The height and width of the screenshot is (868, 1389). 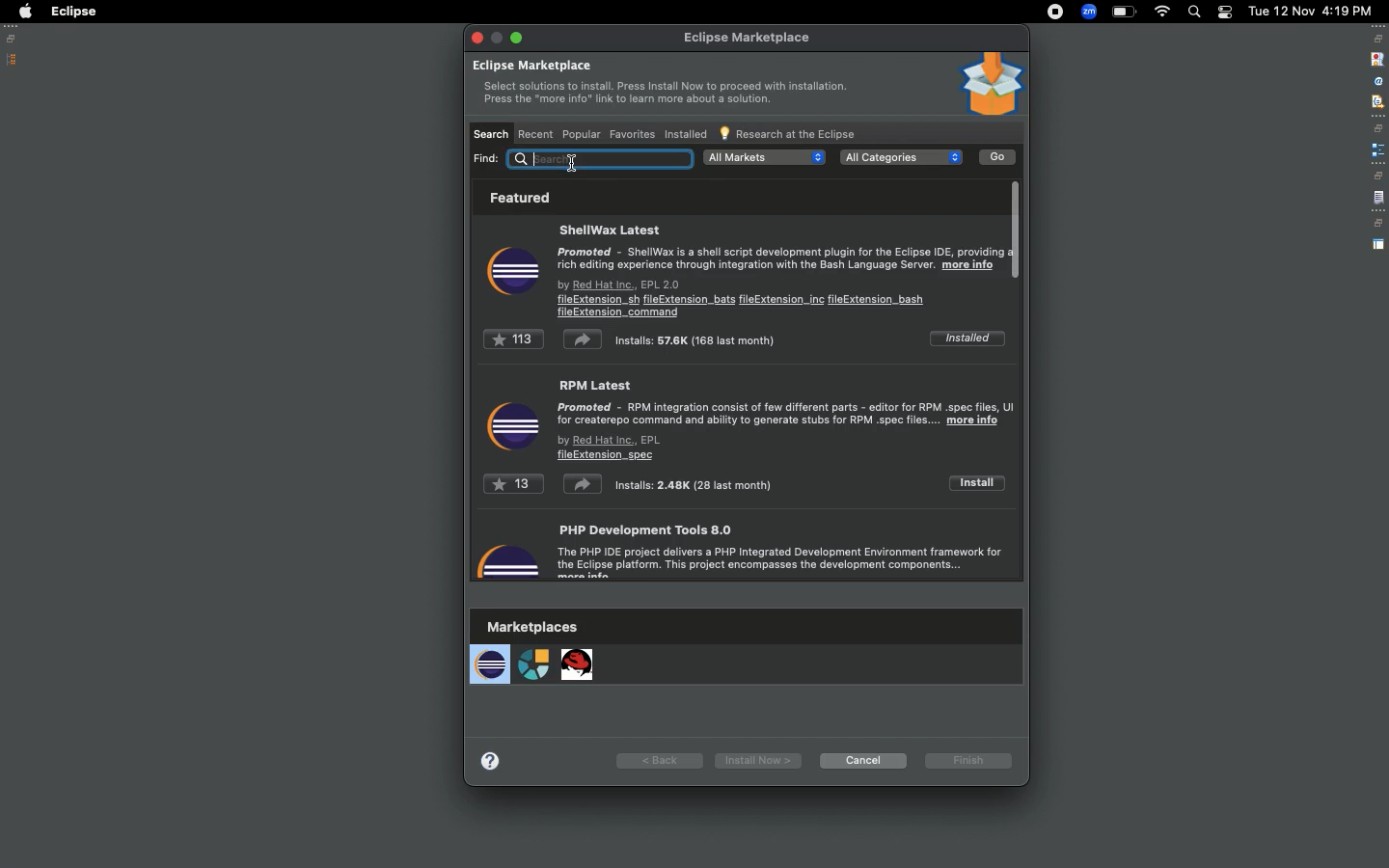 What do you see at coordinates (13, 60) in the screenshot?
I see `Package explorer` at bounding box center [13, 60].